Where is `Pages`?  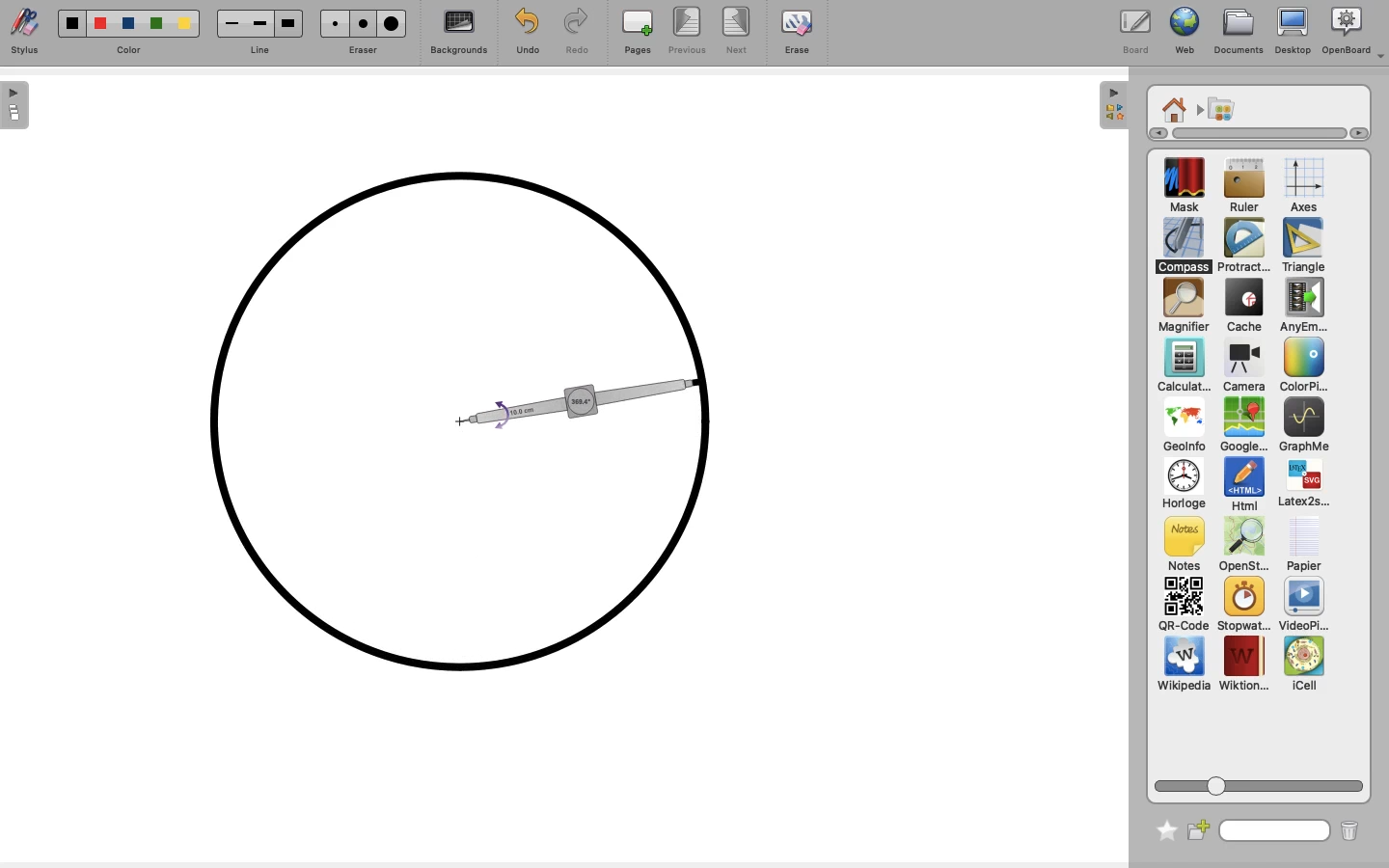 Pages is located at coordinates (638, 34).